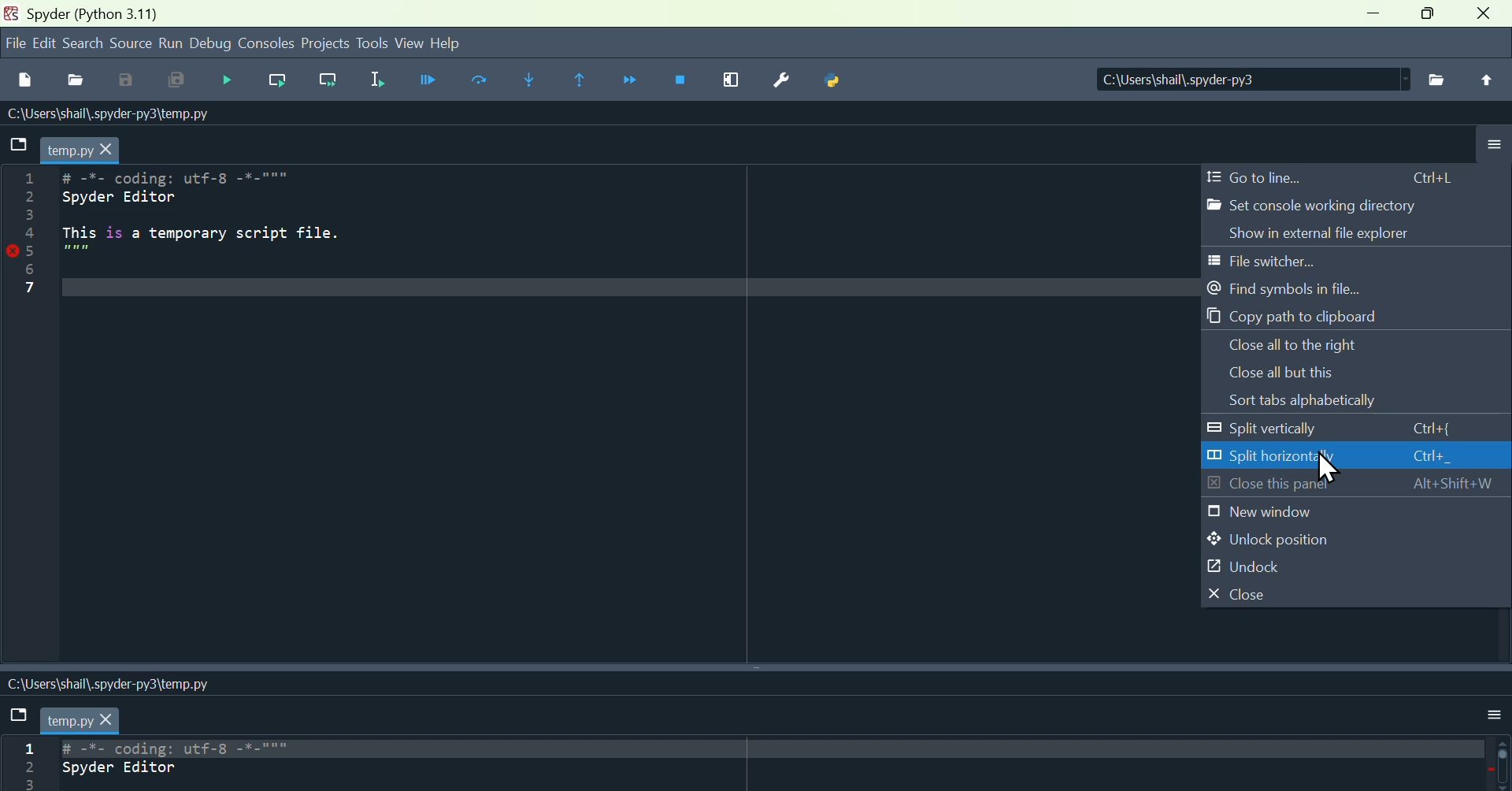  Describe the element at coordinates (781, 82) in the screenshot. I see `Settings` at that location.